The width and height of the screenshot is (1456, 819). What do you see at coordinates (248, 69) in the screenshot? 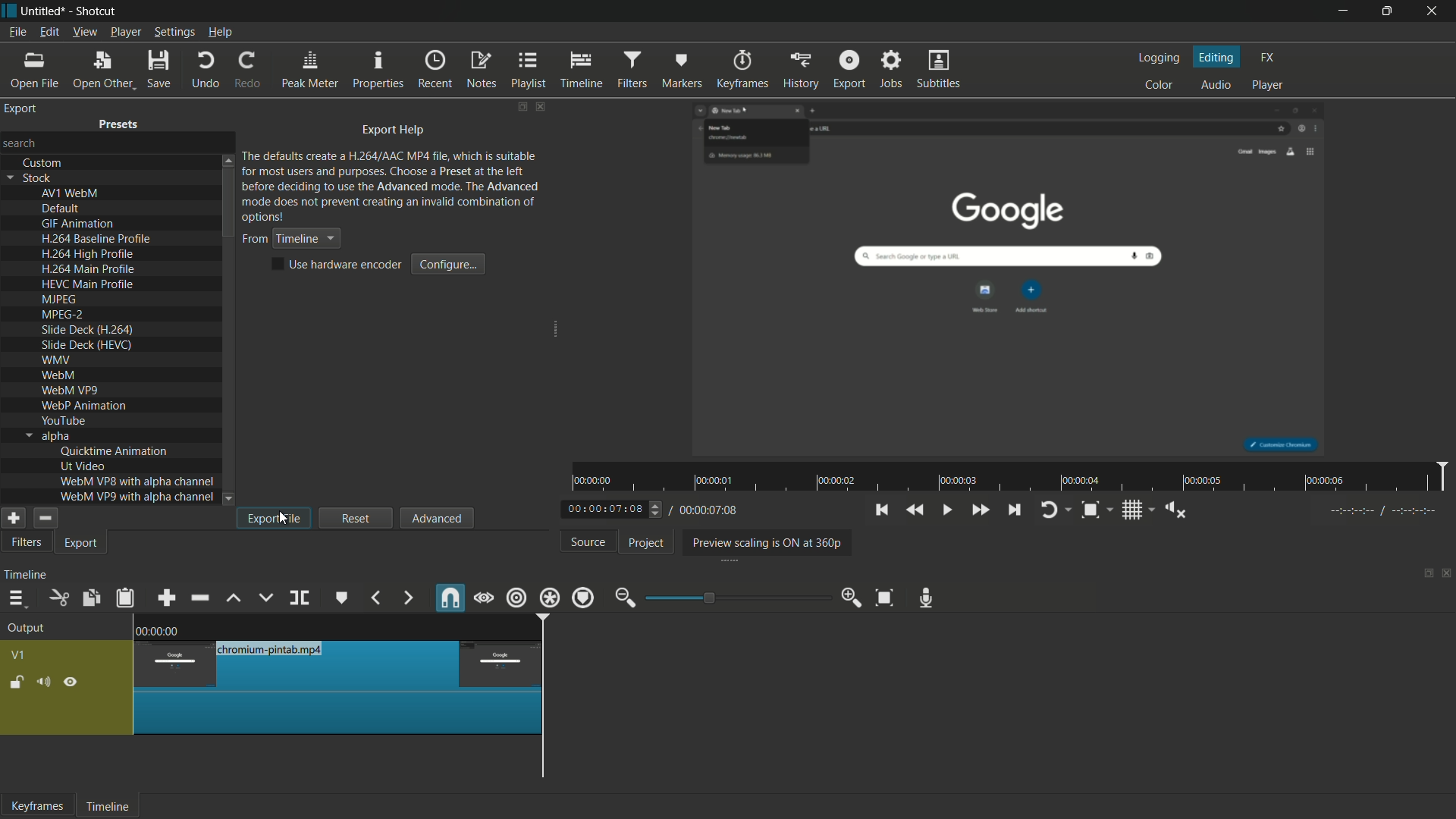
I see `redo` at bounding box center [248, 69].